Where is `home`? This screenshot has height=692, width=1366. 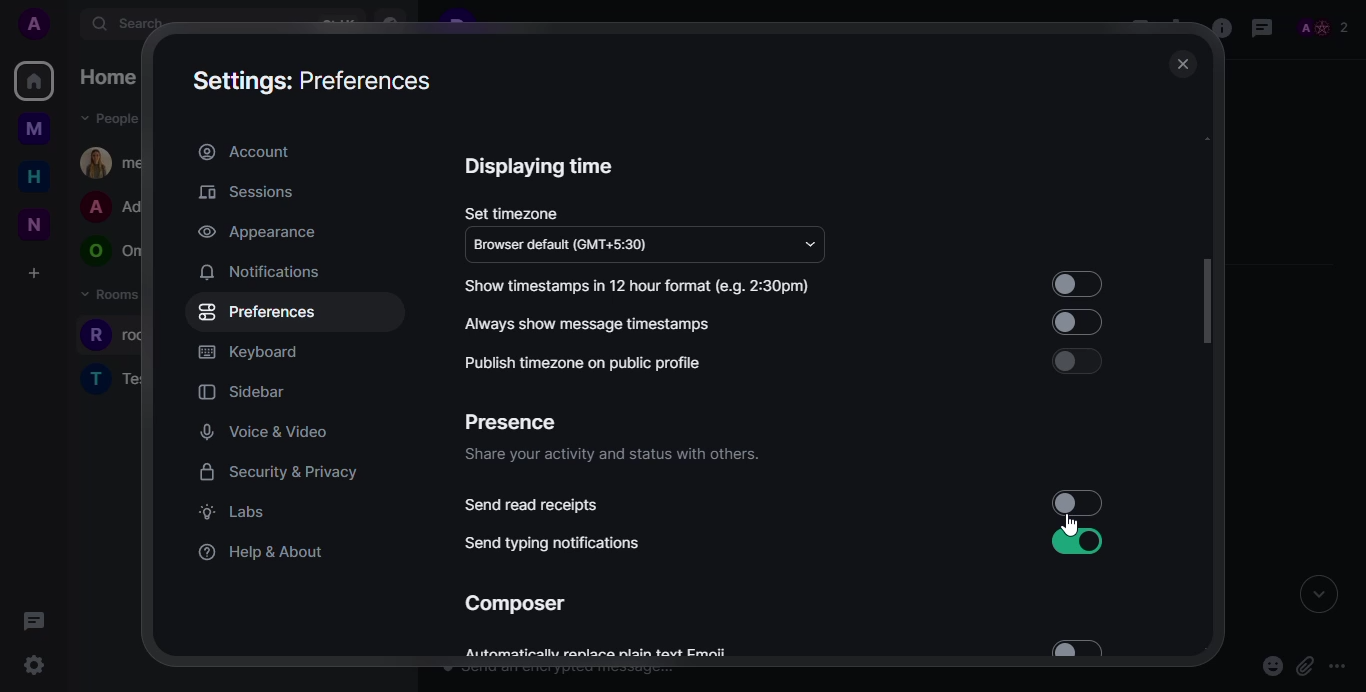
home is located at coordinates (113, 77).